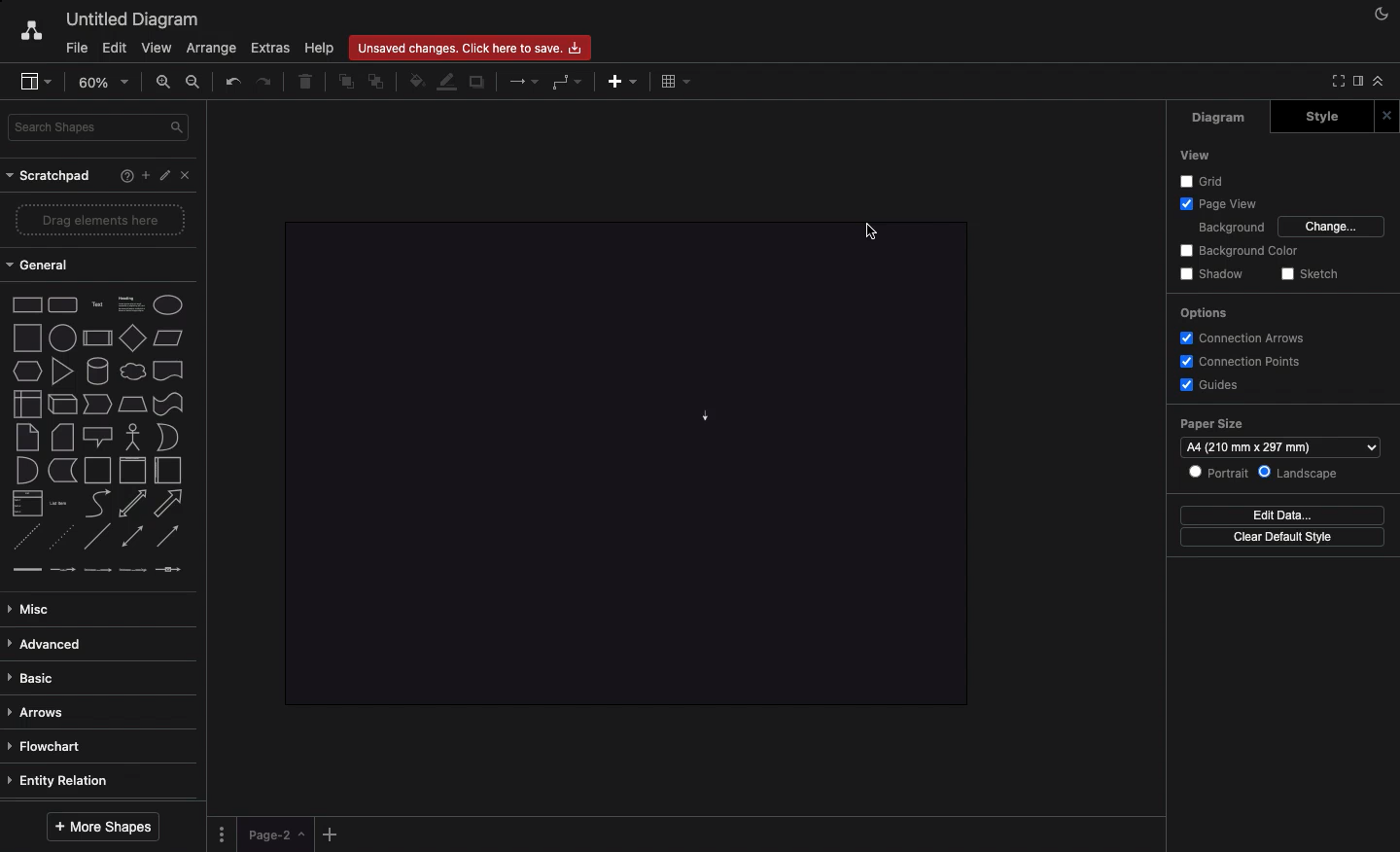 This screenshot has width=1400, height=852. Describe the element at coordinates (207, 49) in the screenshot. I see `Arrange` at that location.